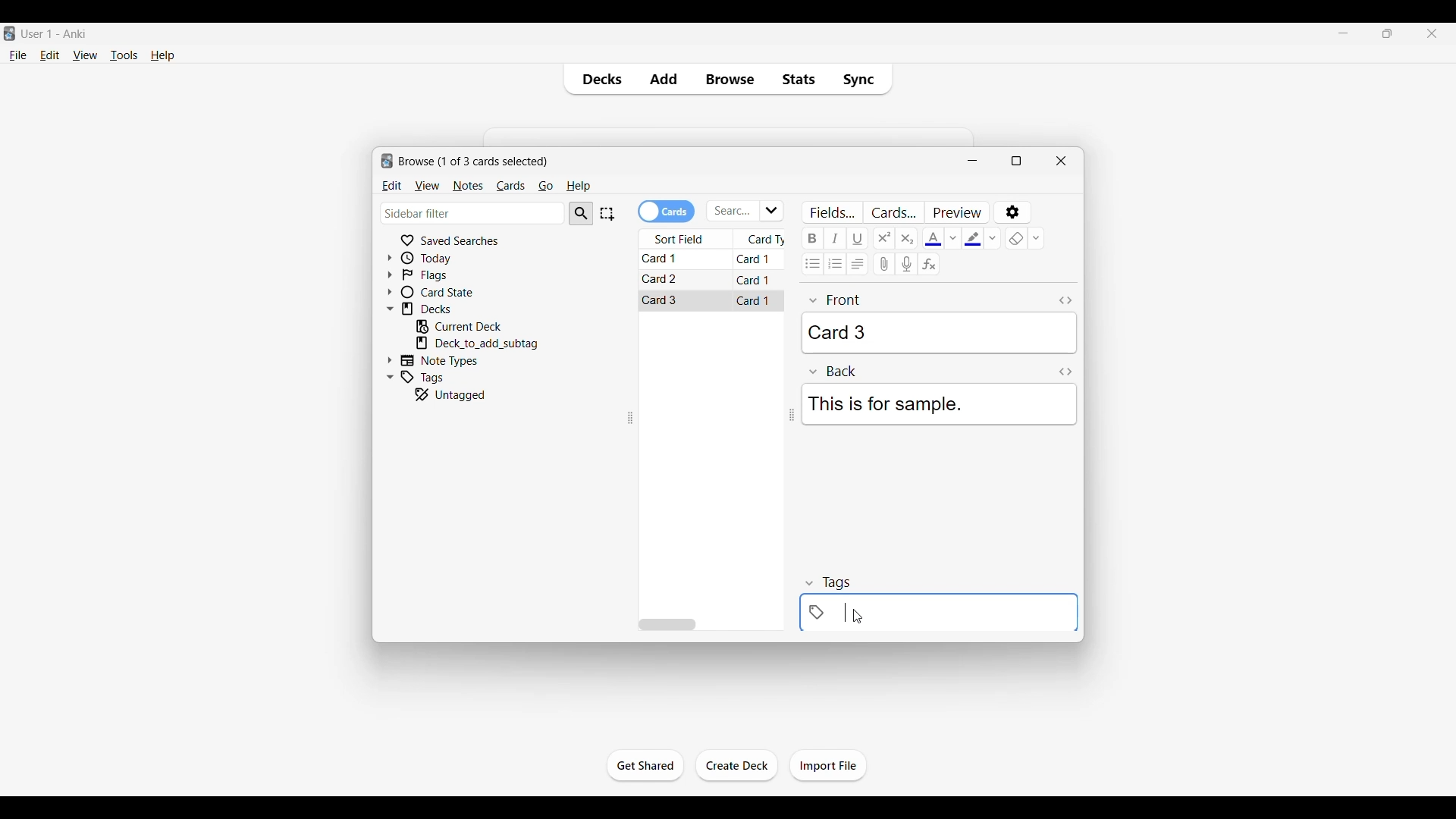 The height and width of the screenshot is (819, 1456). What do you see at coordinates (11, 33) in the screenshot?
I see `Software logo` at bounding box center [11, 33].